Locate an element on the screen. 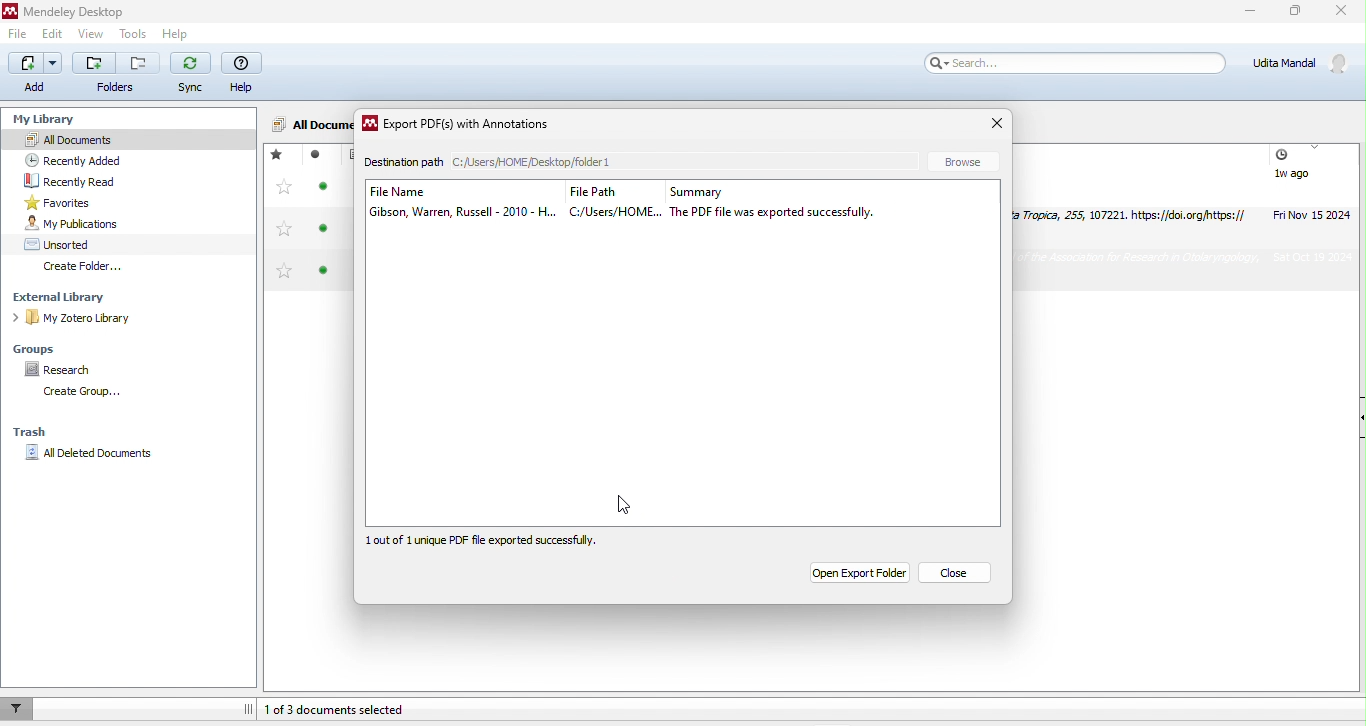  export pdf with annotations is located at coordinates (461, 127).